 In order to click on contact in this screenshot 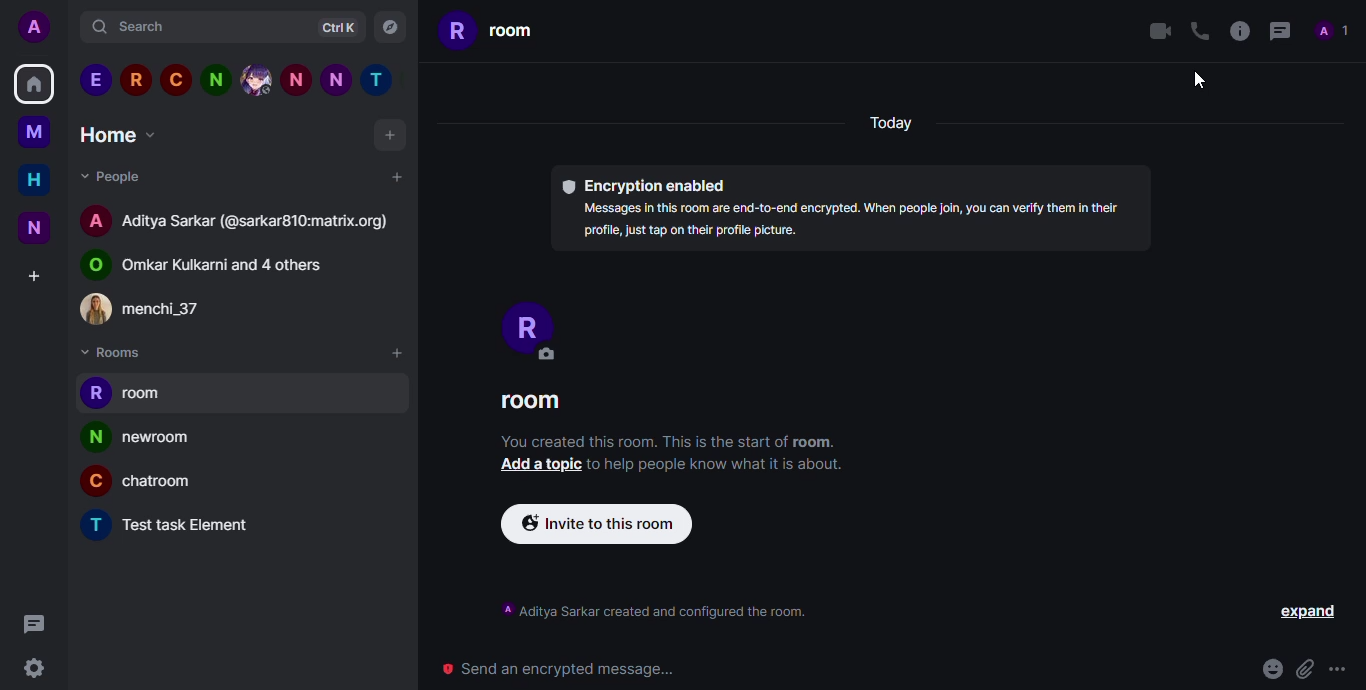, I will do `click(150, 309)`.